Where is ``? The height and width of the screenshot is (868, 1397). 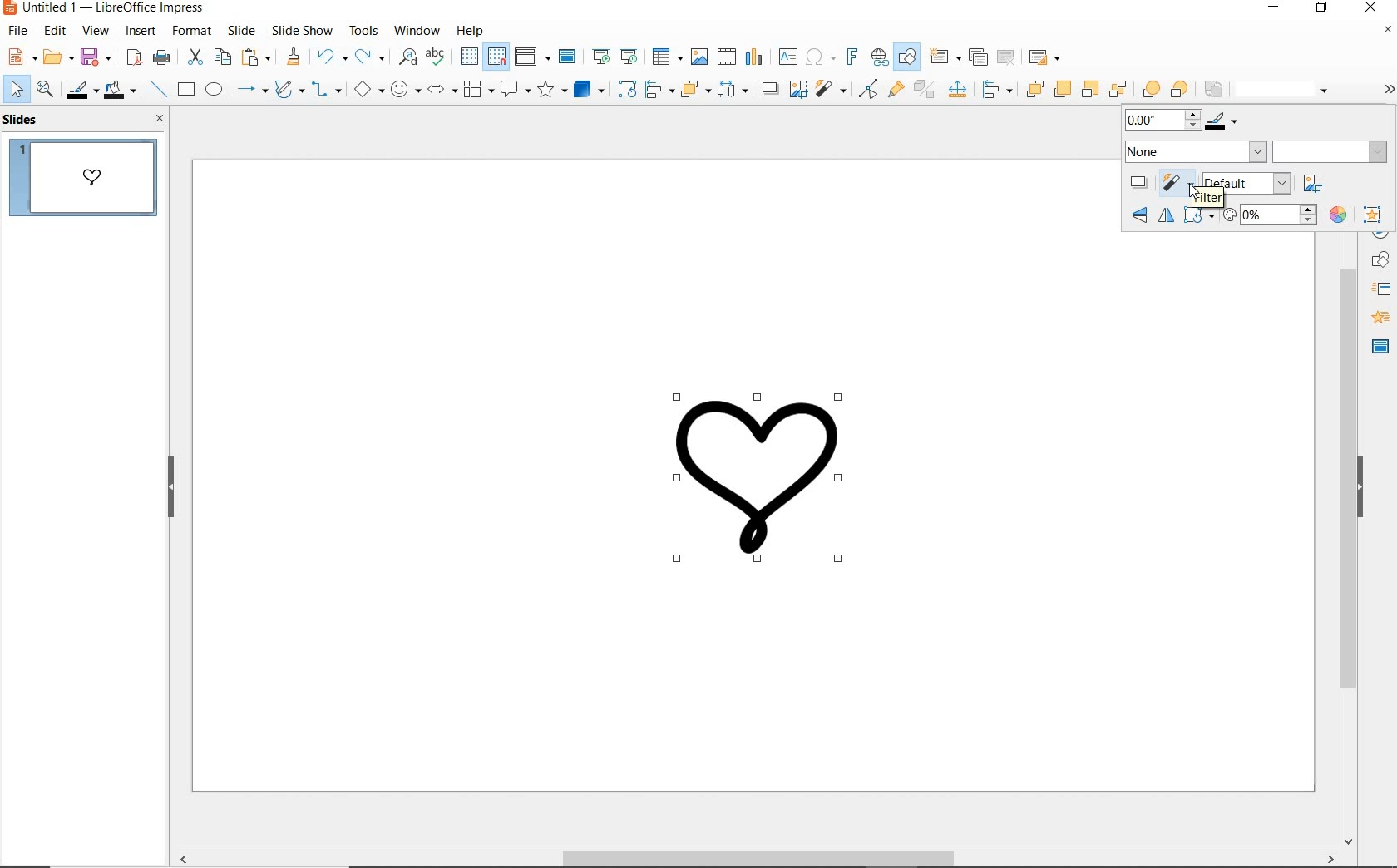  is located at coordinates (996, 90).